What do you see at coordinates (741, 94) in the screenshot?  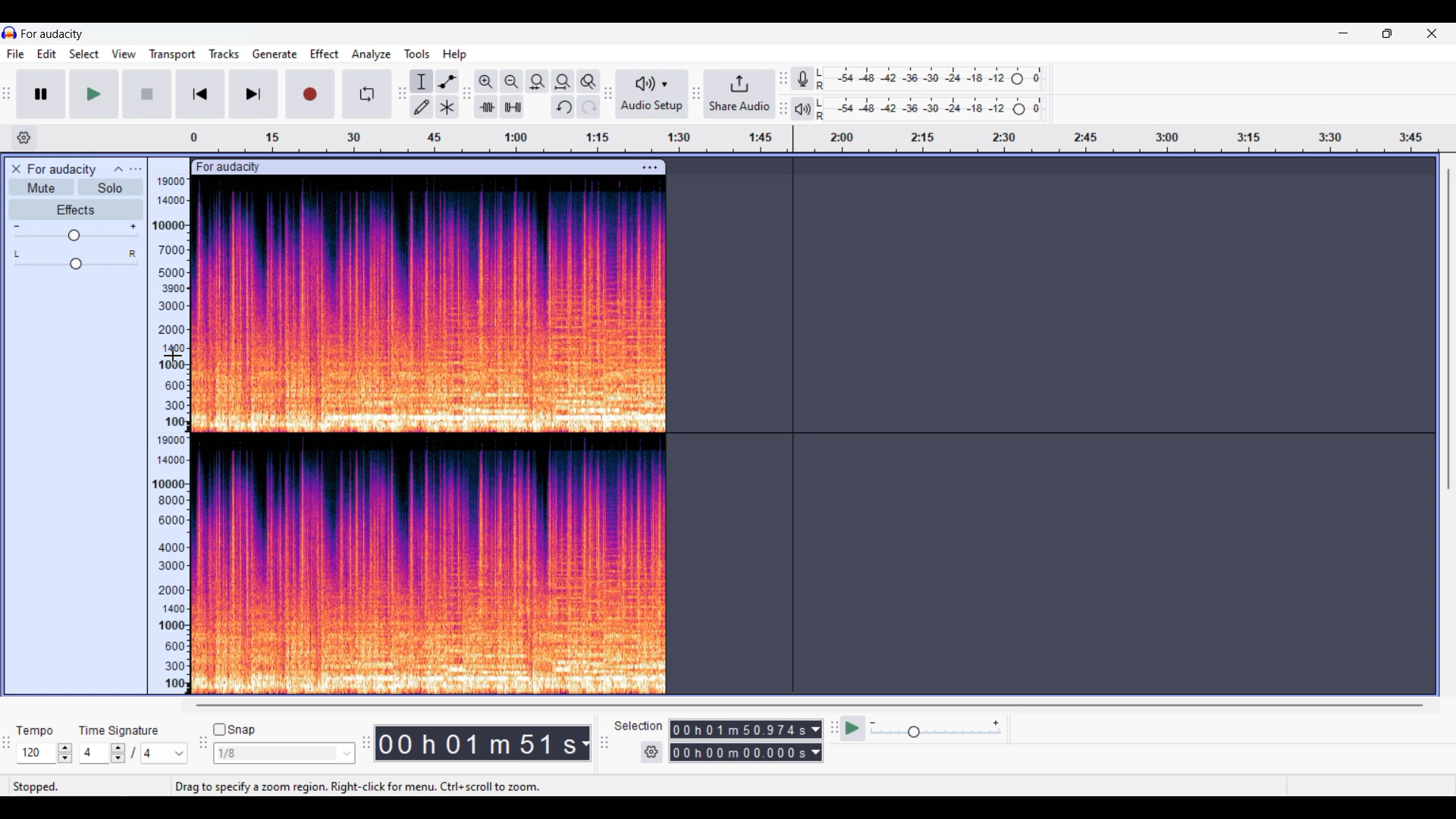 I see `Share audio` at bounding box center [741, 94].